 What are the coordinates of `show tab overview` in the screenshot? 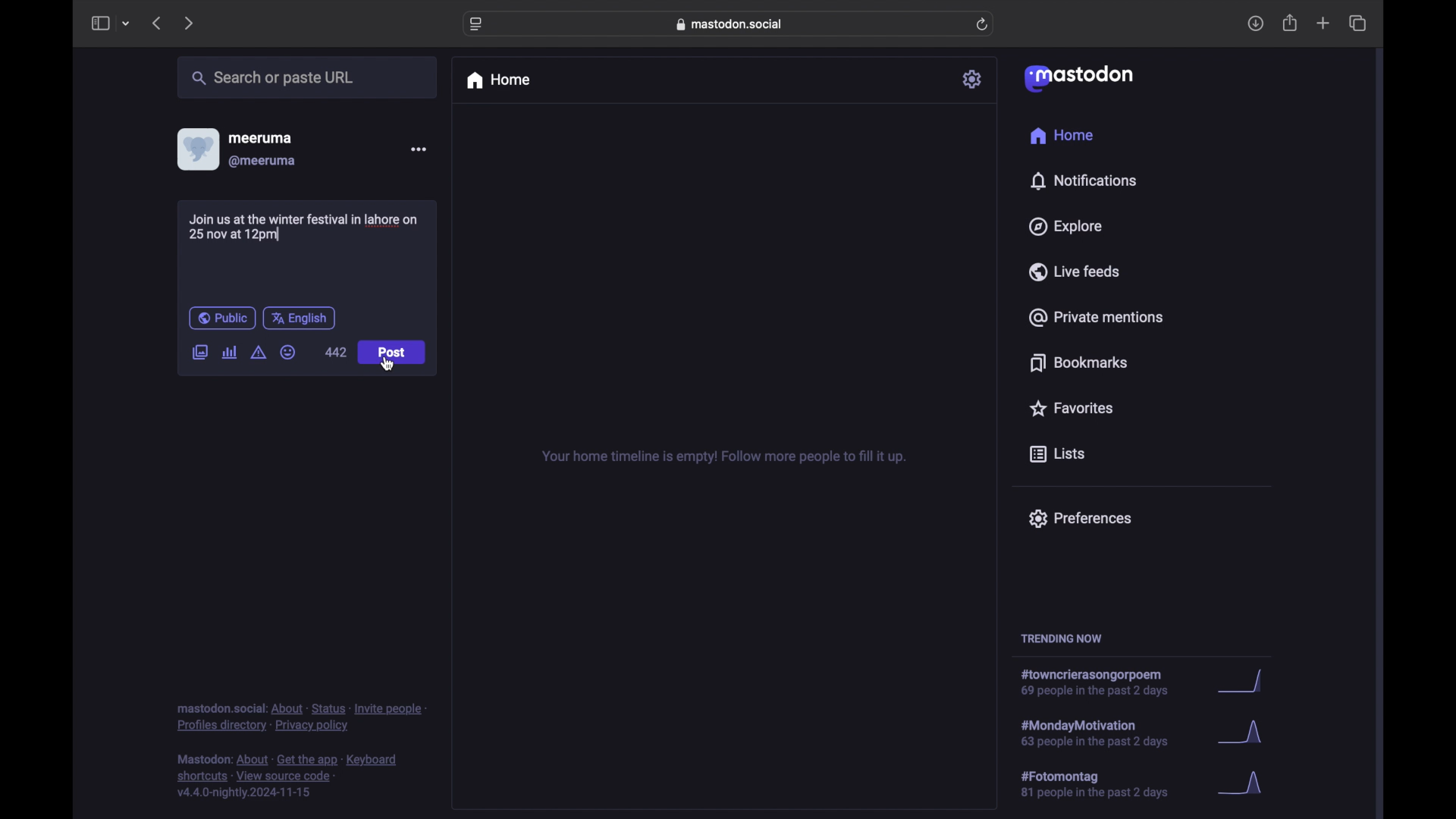 It's located at (1357, 24).